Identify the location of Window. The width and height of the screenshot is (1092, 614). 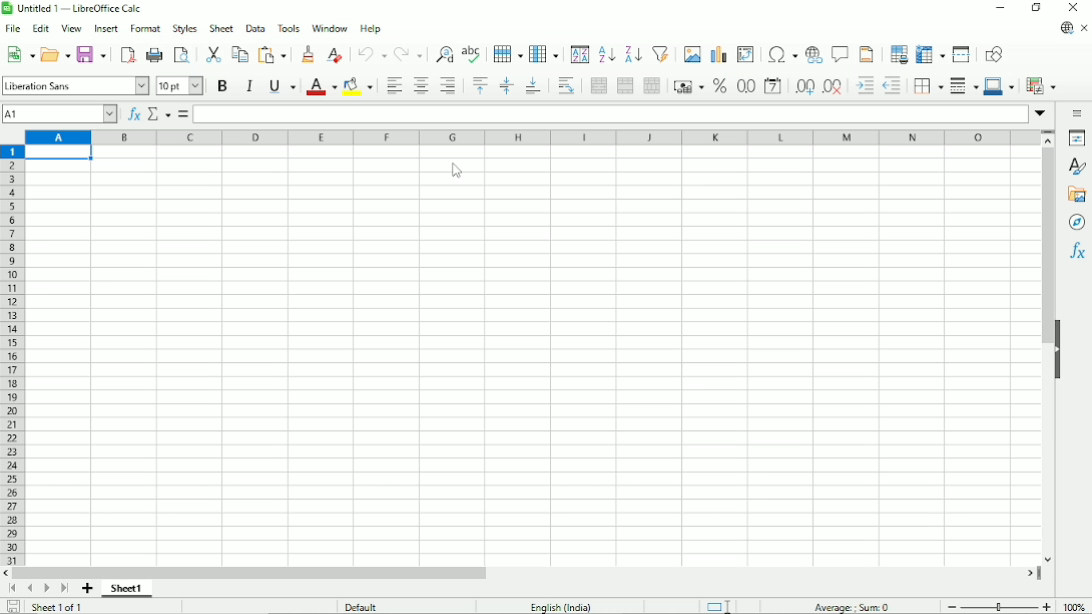
(330, 29).